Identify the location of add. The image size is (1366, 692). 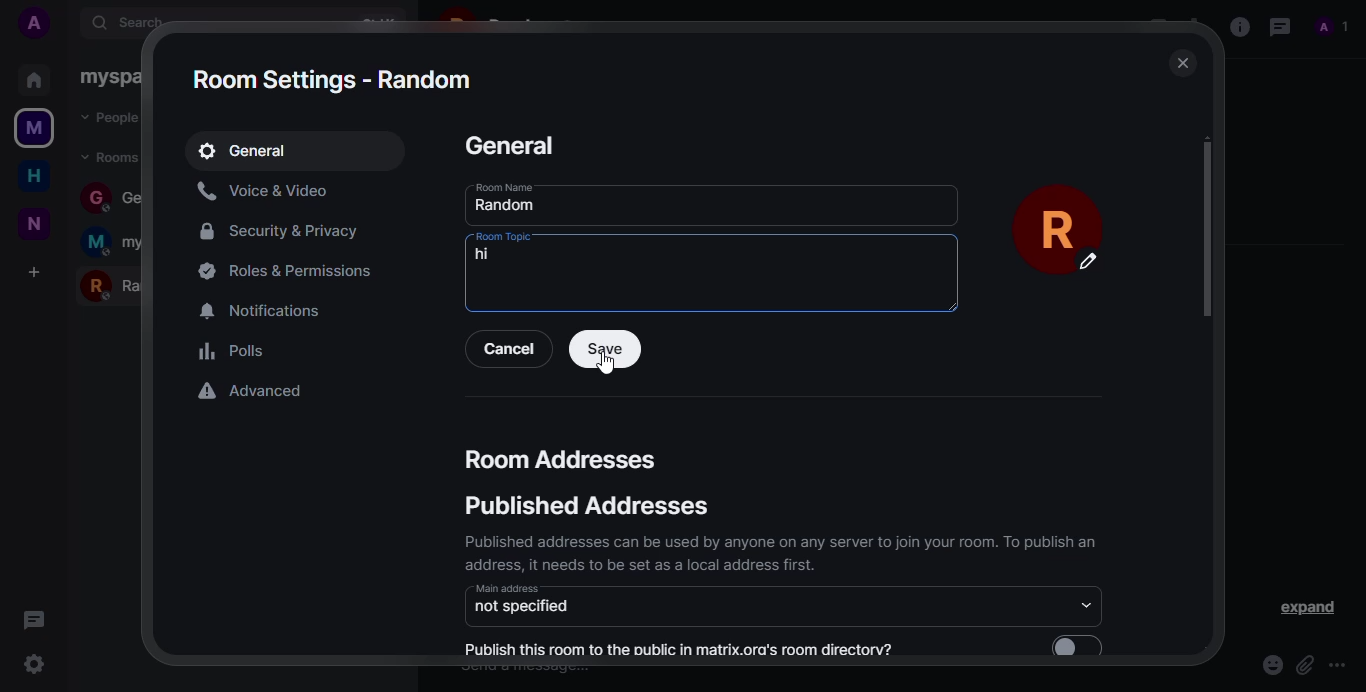
(35, 271).